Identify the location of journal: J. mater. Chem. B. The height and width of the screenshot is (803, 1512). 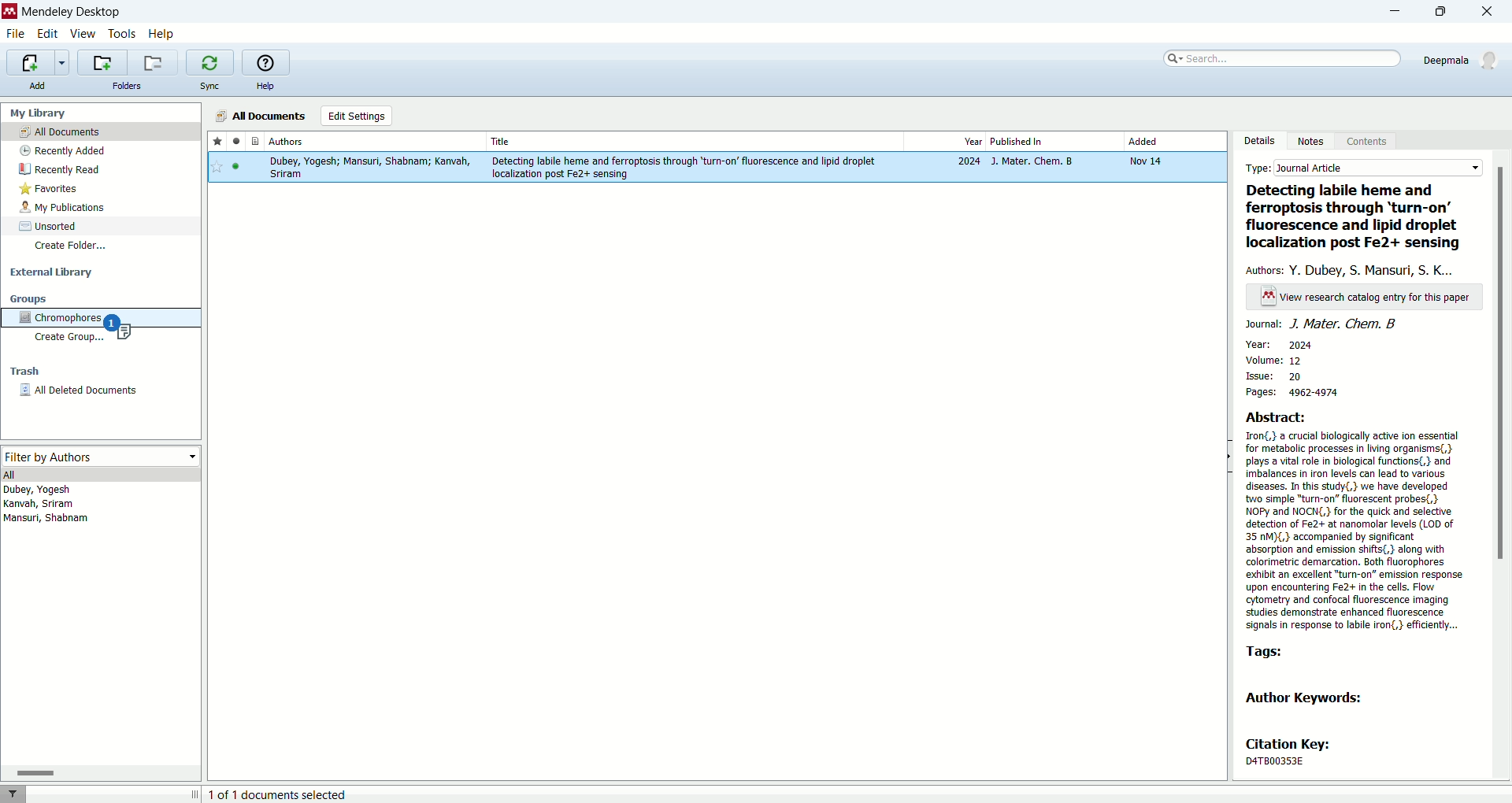
(1322, 324).